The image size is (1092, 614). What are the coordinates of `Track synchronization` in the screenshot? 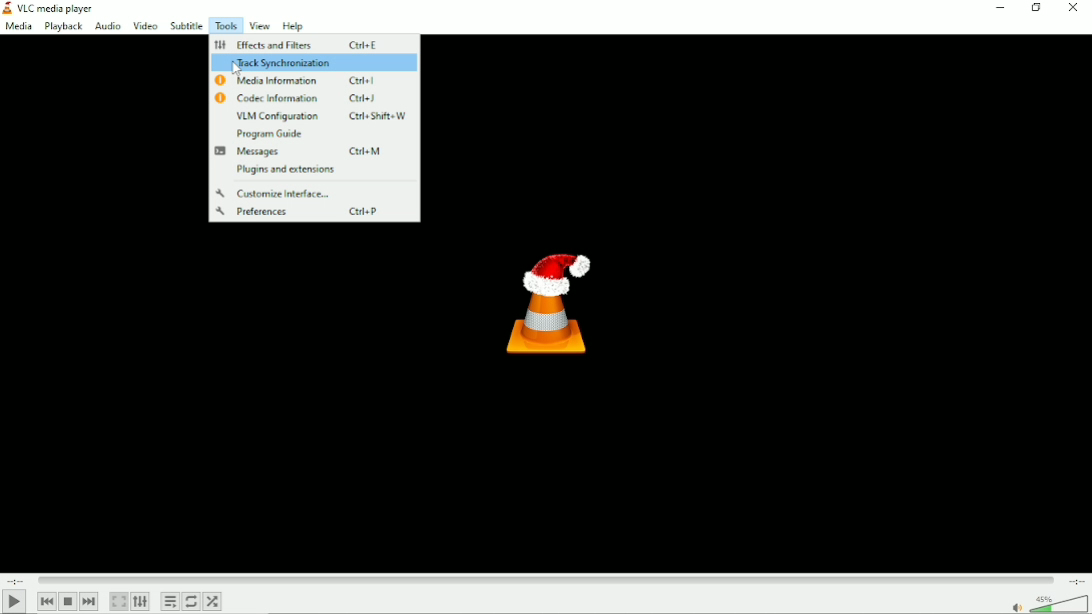 It's located at (316, 62).